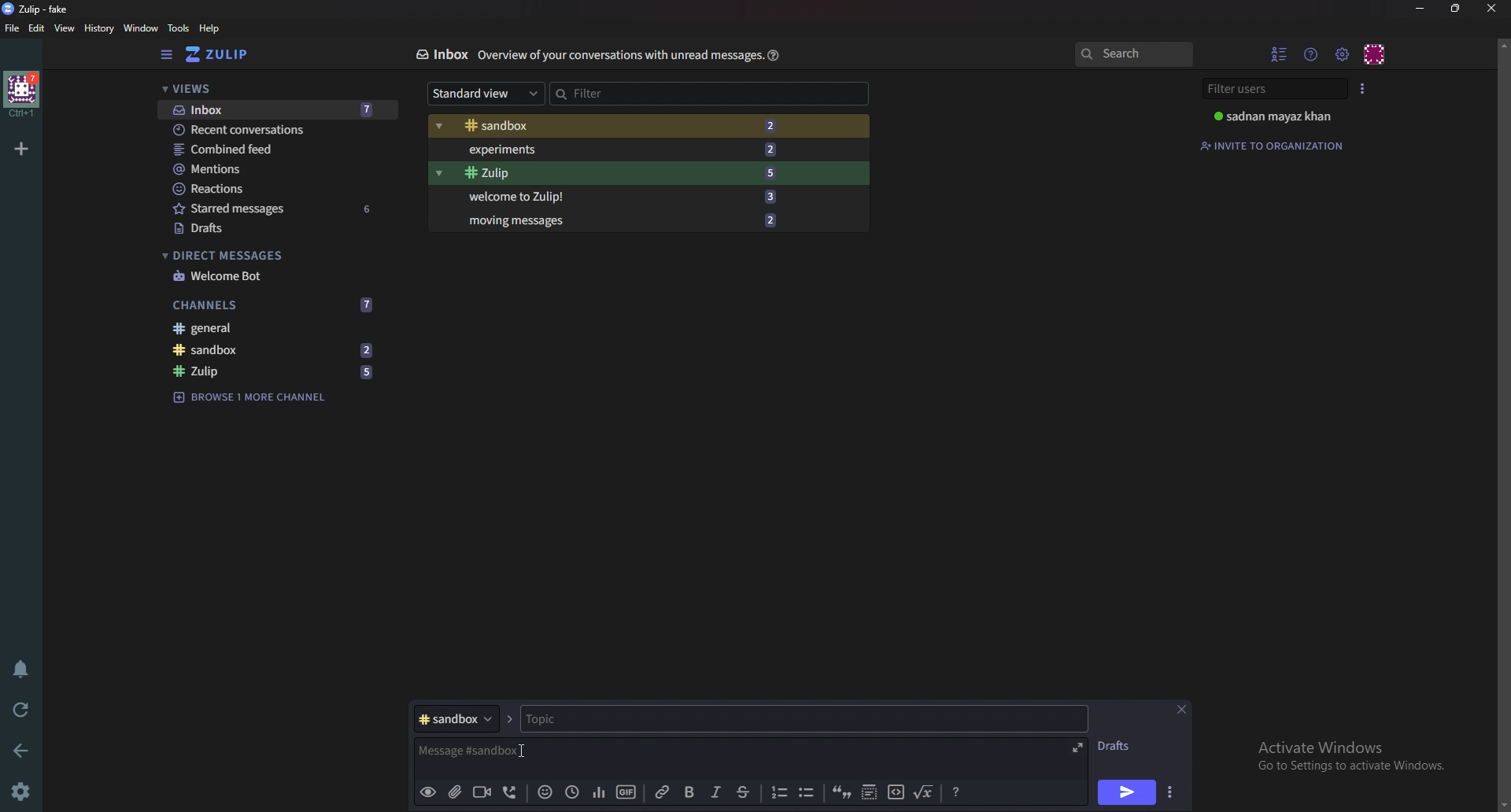  Describe the element at coordinates (620, 220) in the screenshot. I see `Moving messages` at that location.